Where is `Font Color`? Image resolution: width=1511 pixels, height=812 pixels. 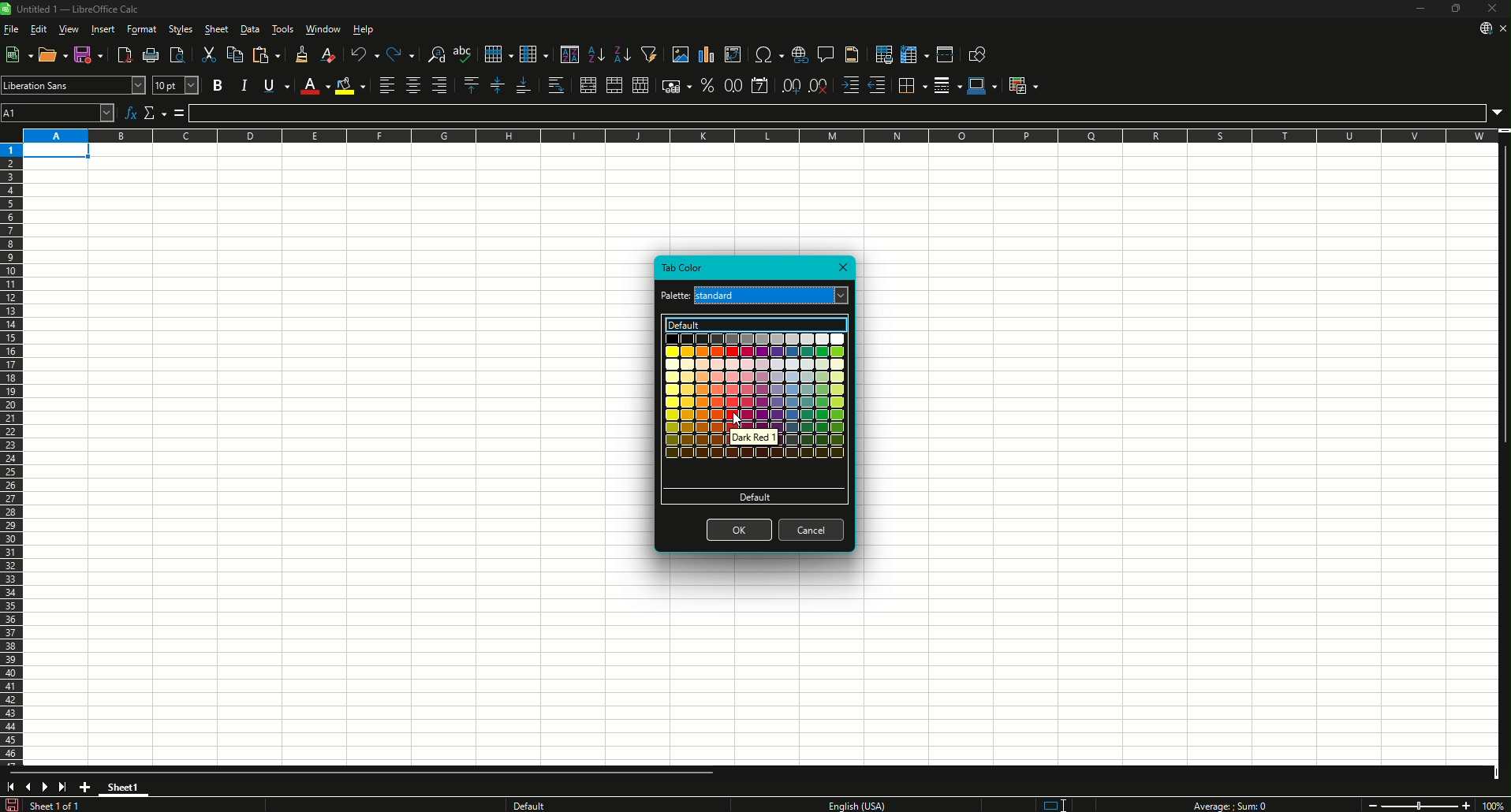
Font Color is located at coordinates (315, 86).